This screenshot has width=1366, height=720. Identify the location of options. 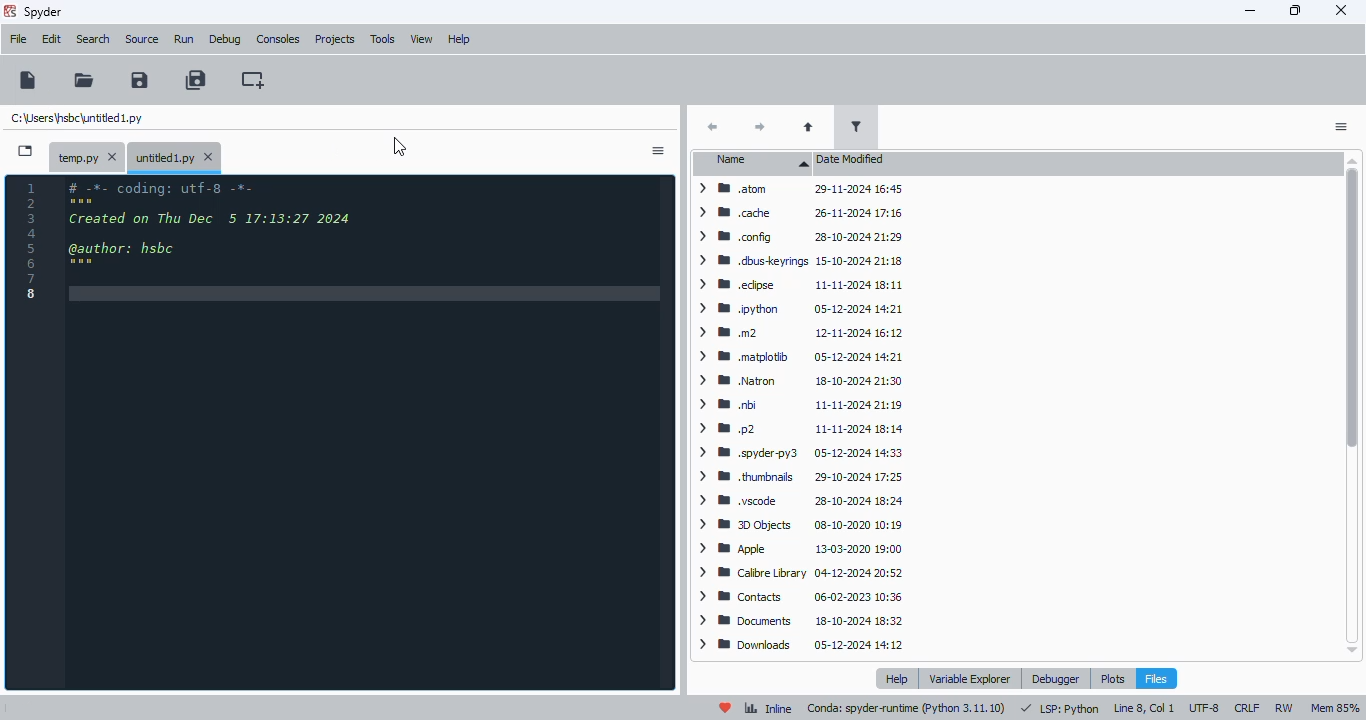
(1342, 127).